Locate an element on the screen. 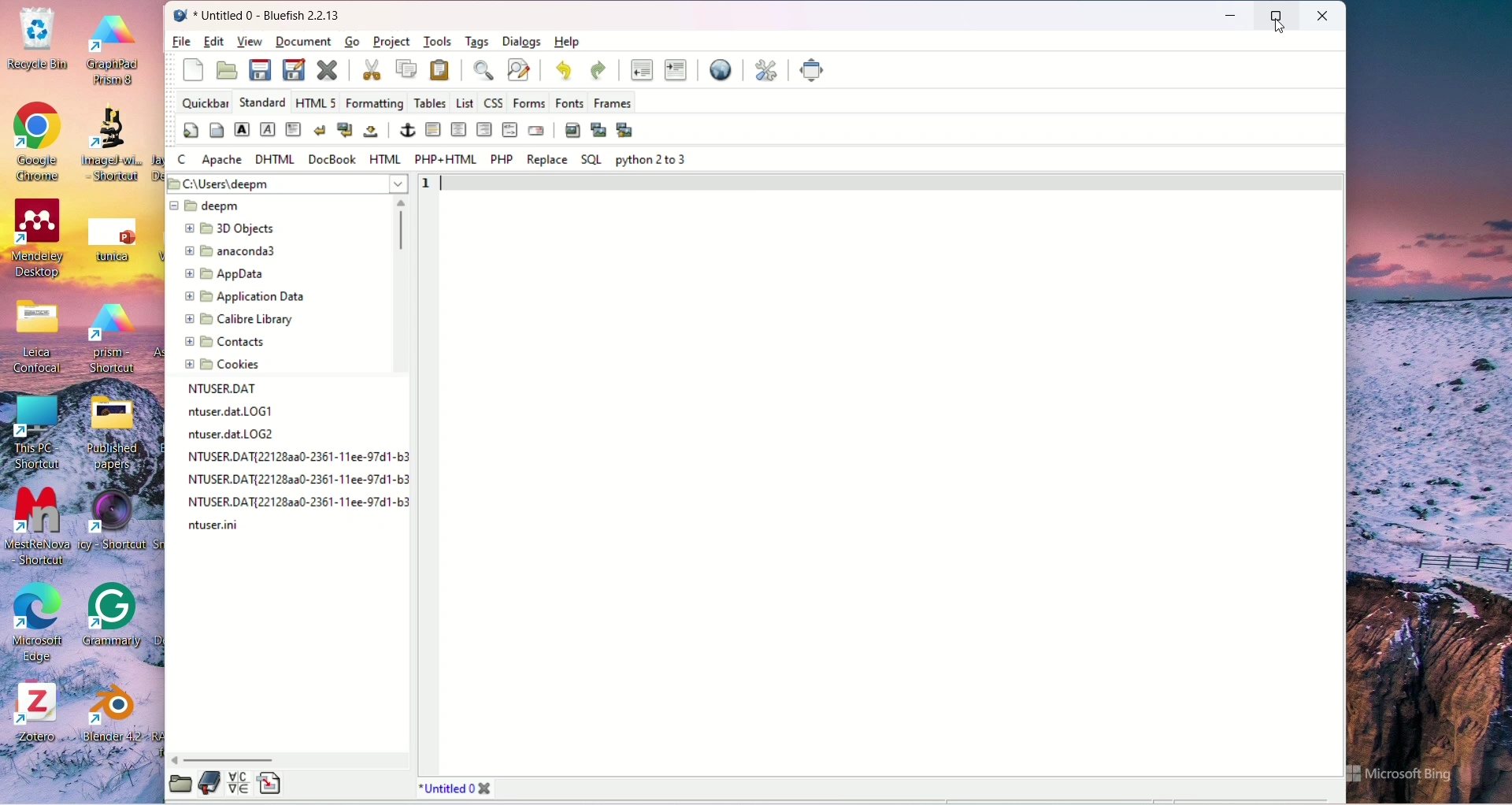 The height and width of the screenshot is (805, 1512). published papers is located at coordinates (124, 432).